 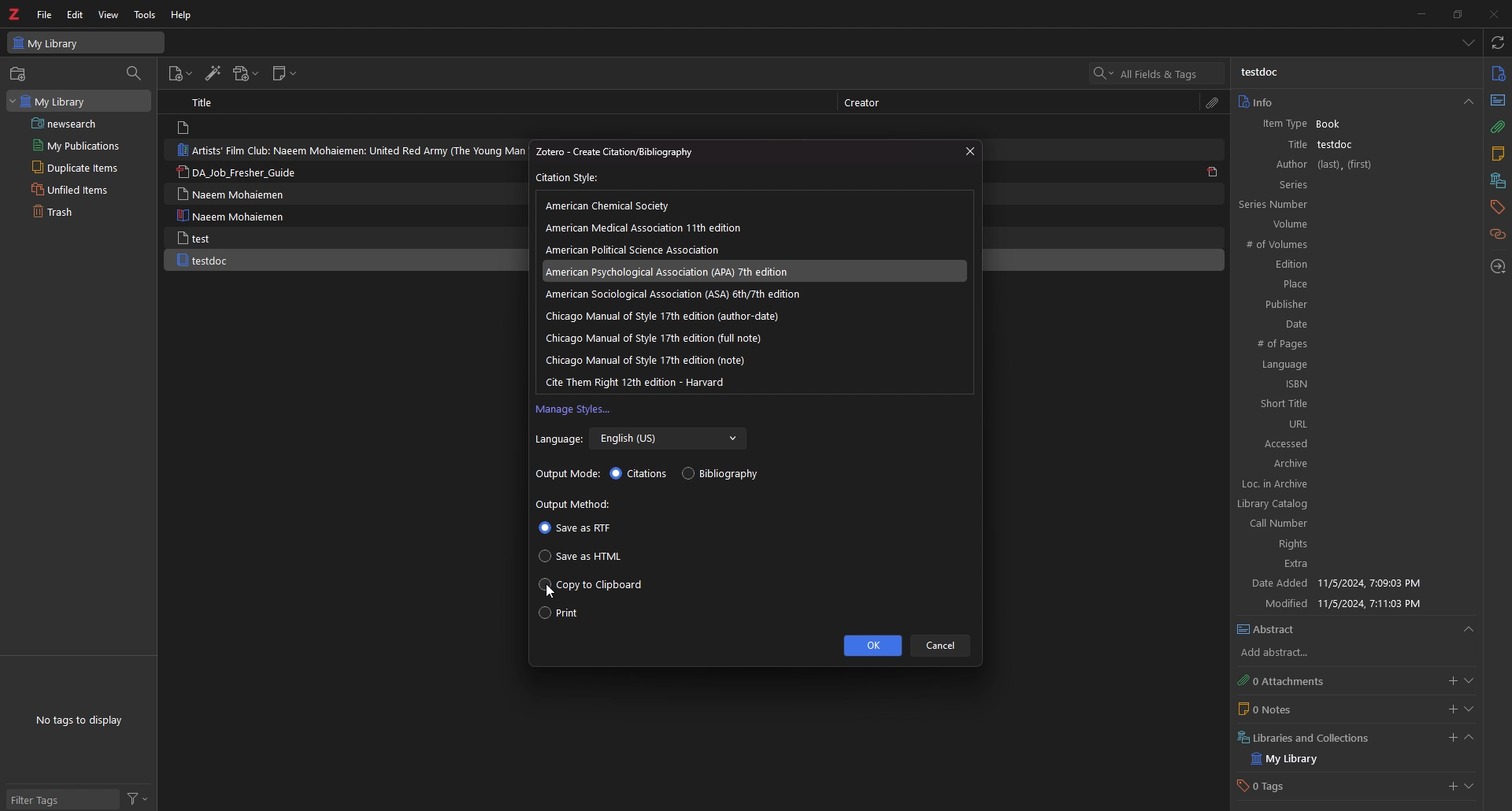 What do you see at coordinates (1469, 739) in the screenshot?
I see `collapse` at bounding box center [1469, 739].